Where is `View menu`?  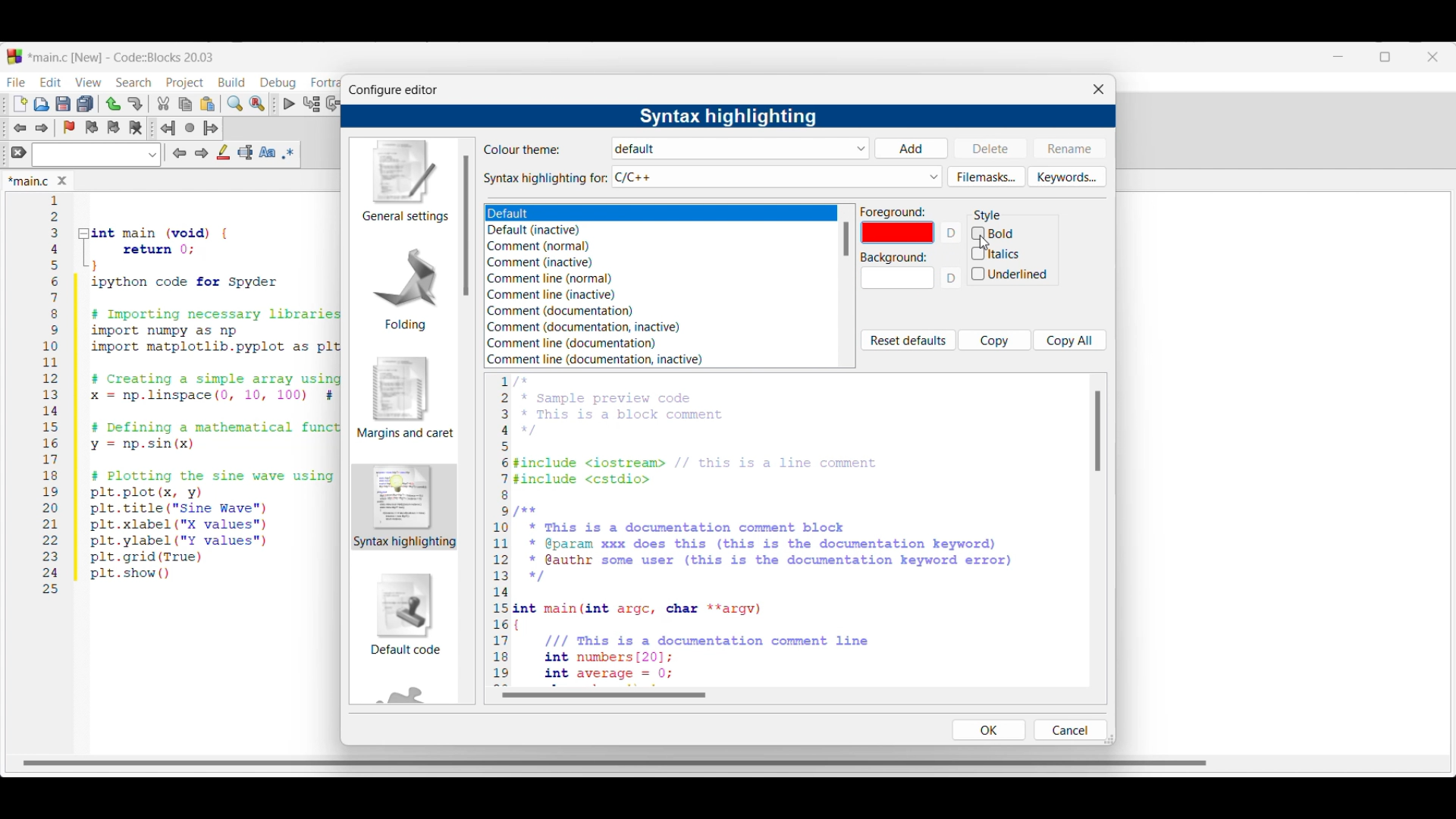 View menu is located at coordinates (88, 83).